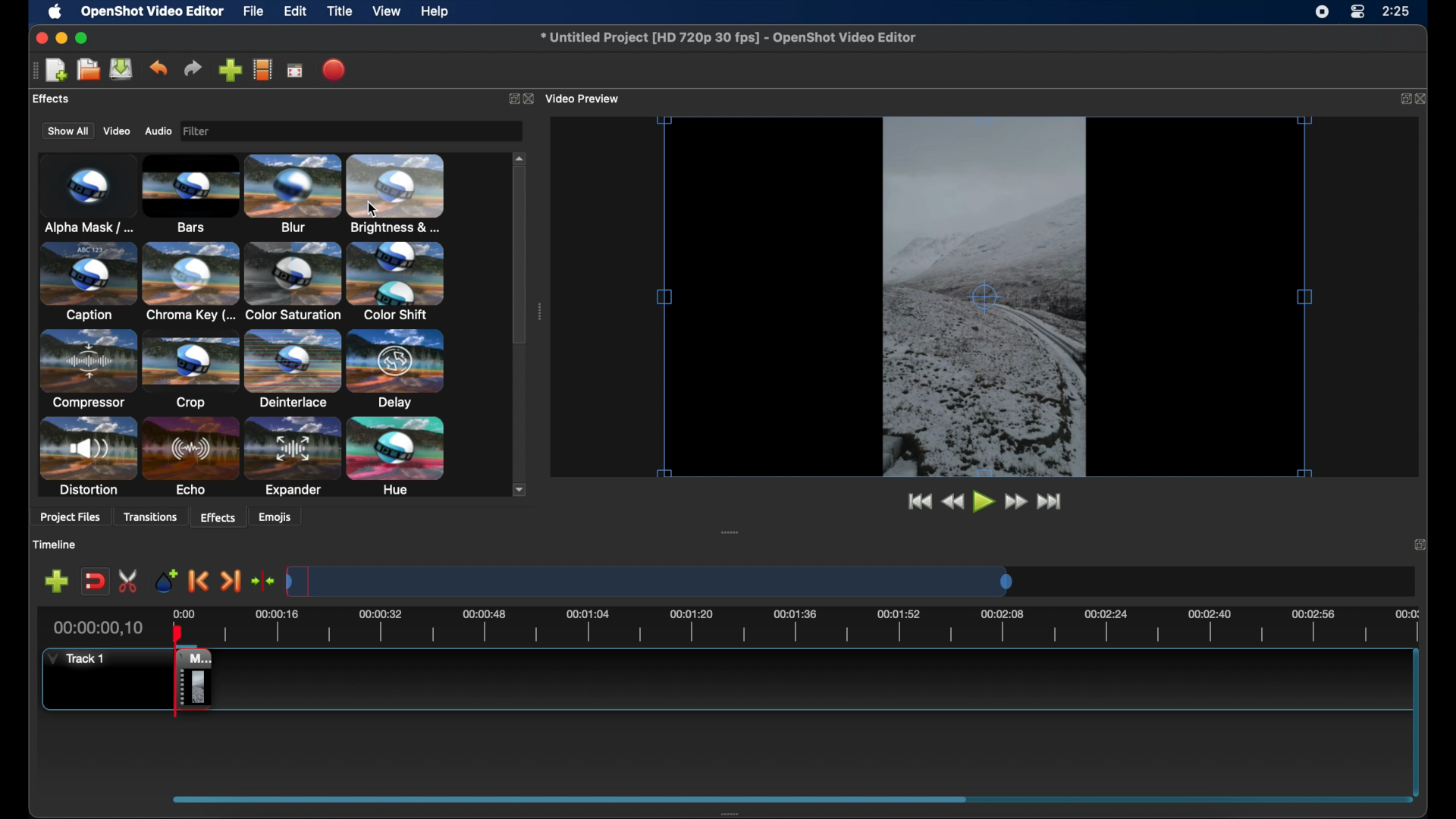 The height and width of the screenshot is (819, 1456). What do you see at coordinates (572, 799) in the screenshot?
I see `scroll box` at bounding box center [572, 799].